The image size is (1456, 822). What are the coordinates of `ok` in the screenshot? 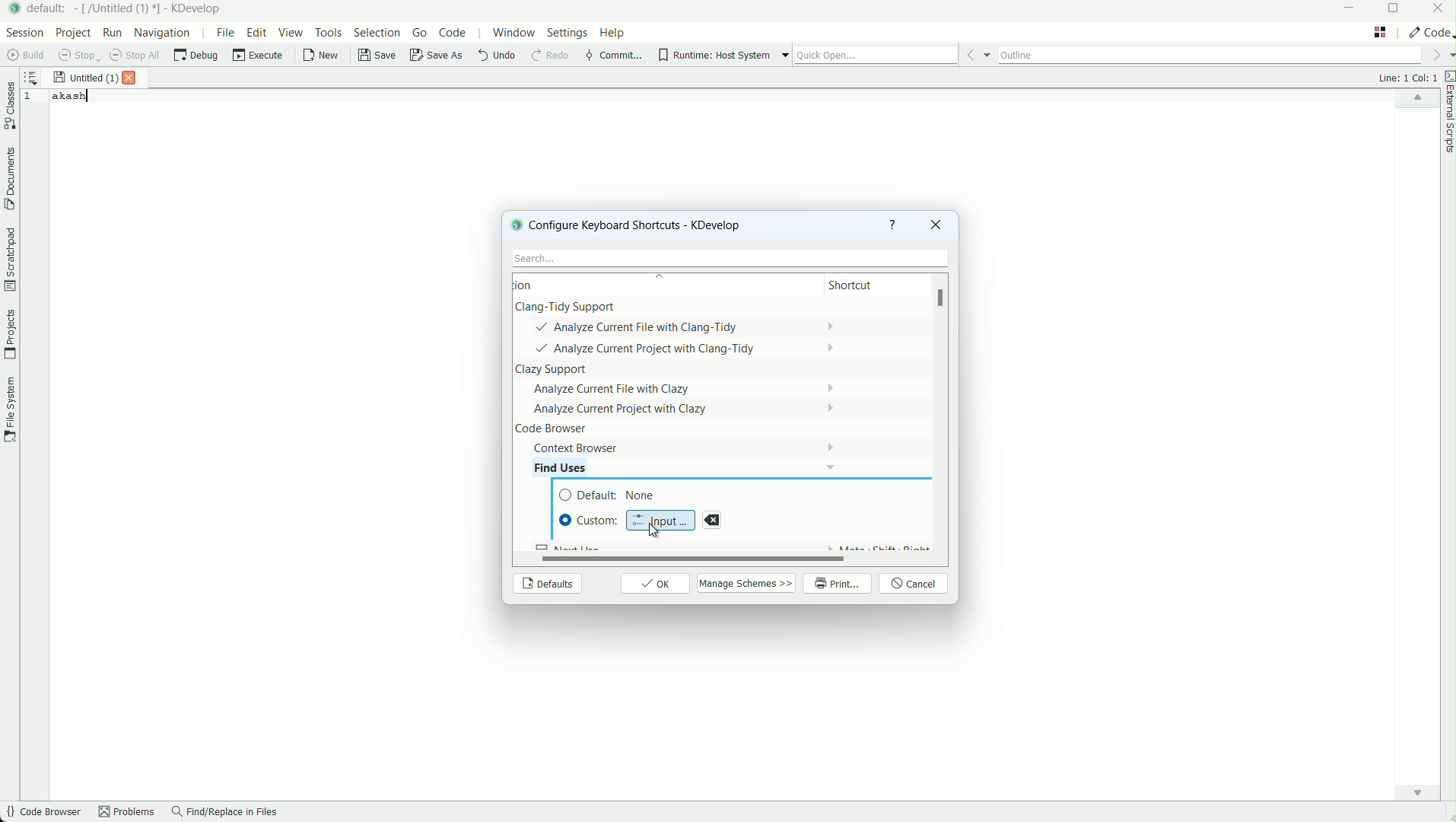 It's located at (656, 584).